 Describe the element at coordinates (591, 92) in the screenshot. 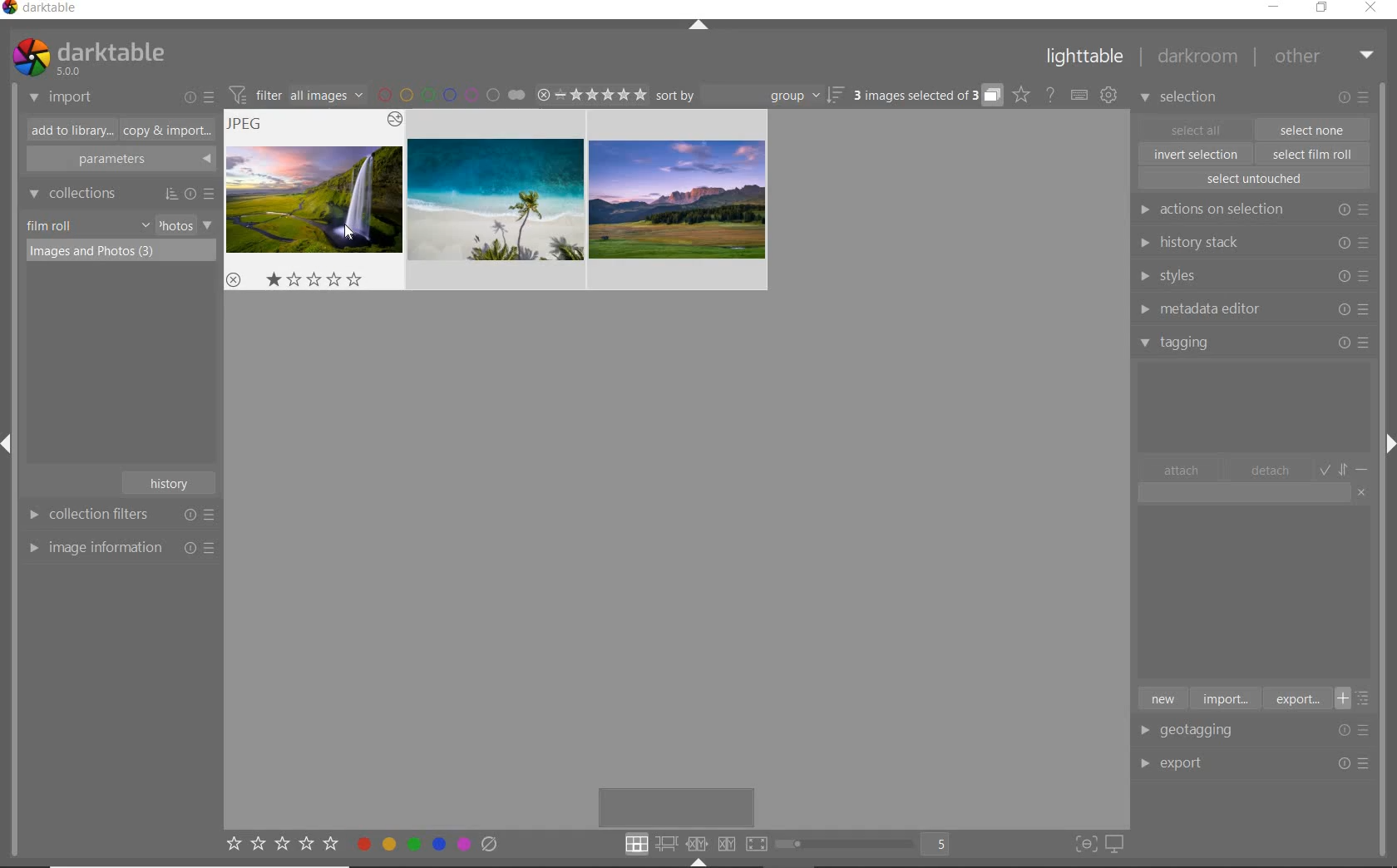

I see `range ratings of selected images` at that location.